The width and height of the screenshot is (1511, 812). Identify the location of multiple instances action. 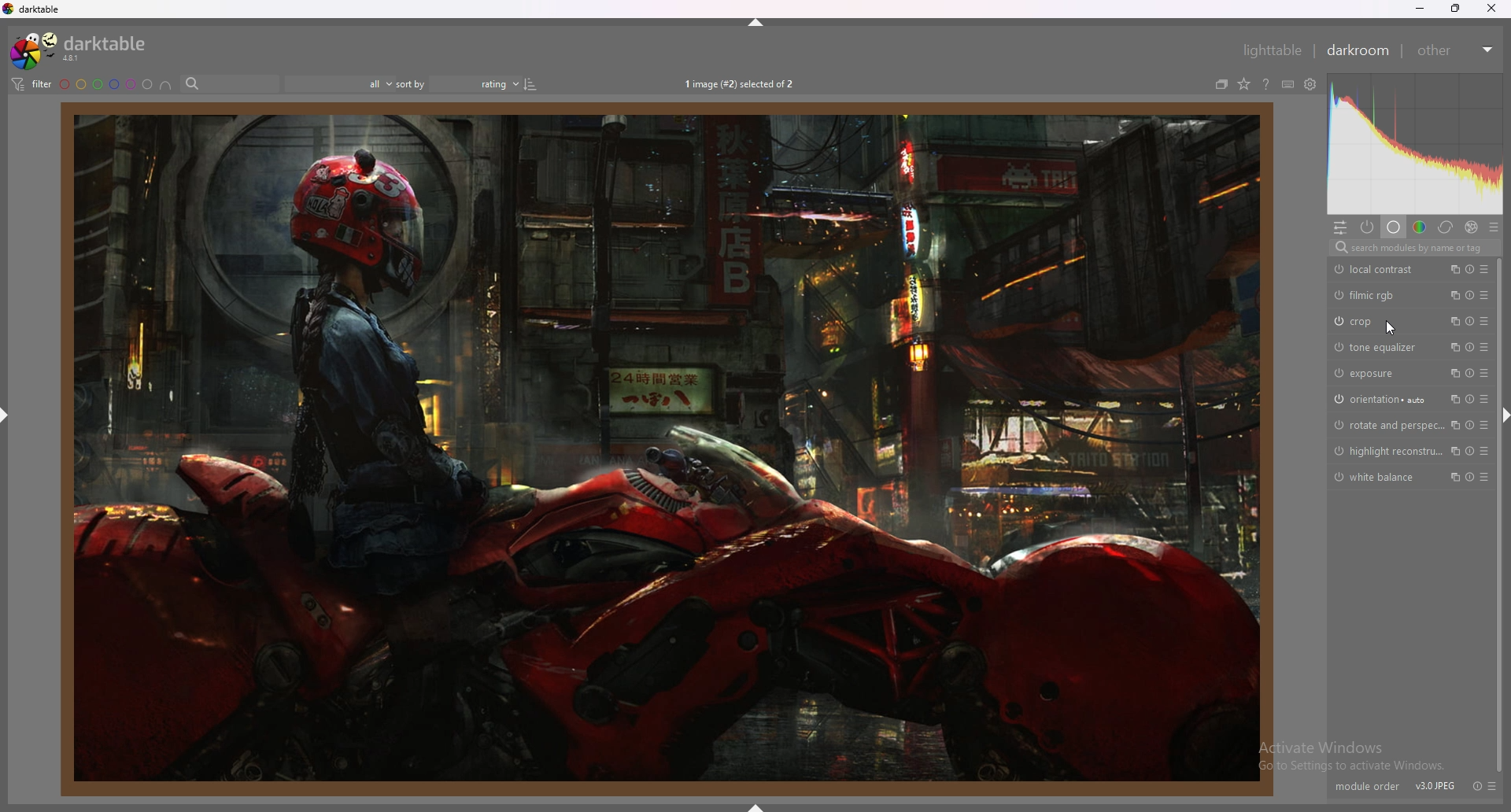
(1453, 477).